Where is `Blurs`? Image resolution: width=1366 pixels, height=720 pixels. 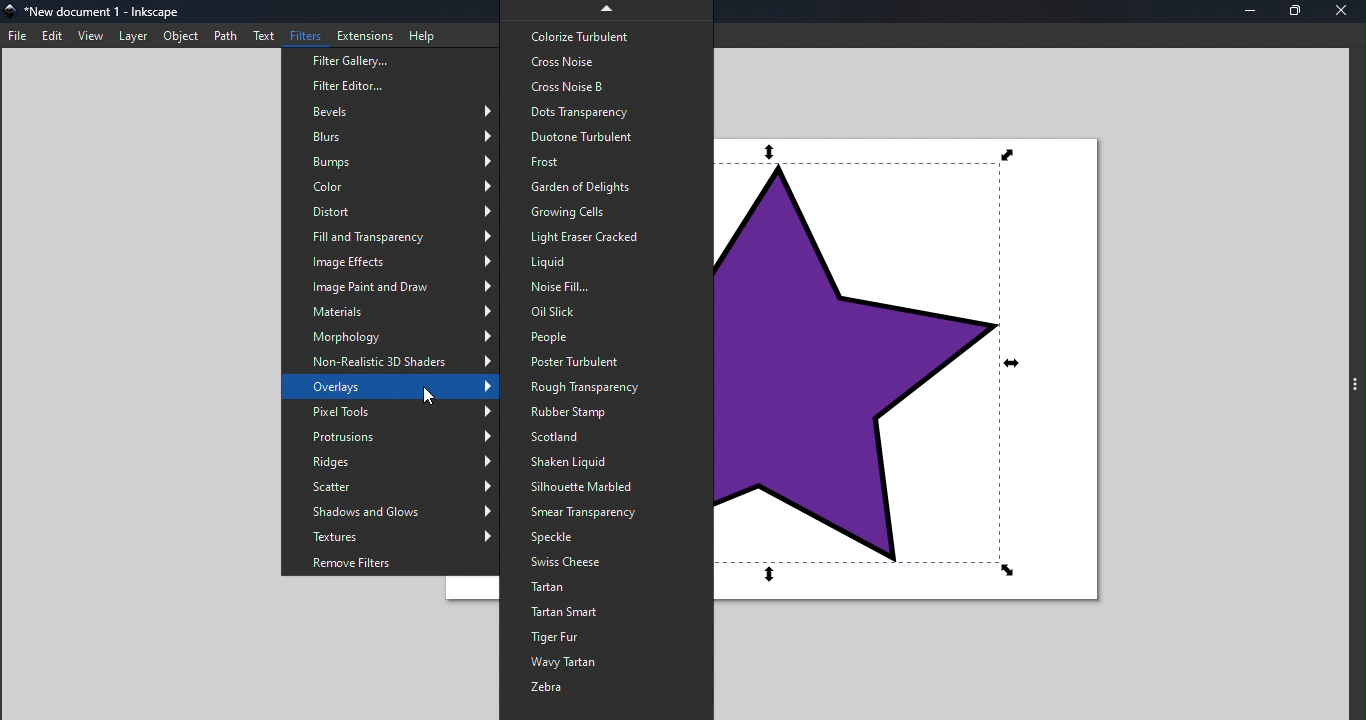
Blurs is located at coordinates (388, 133).